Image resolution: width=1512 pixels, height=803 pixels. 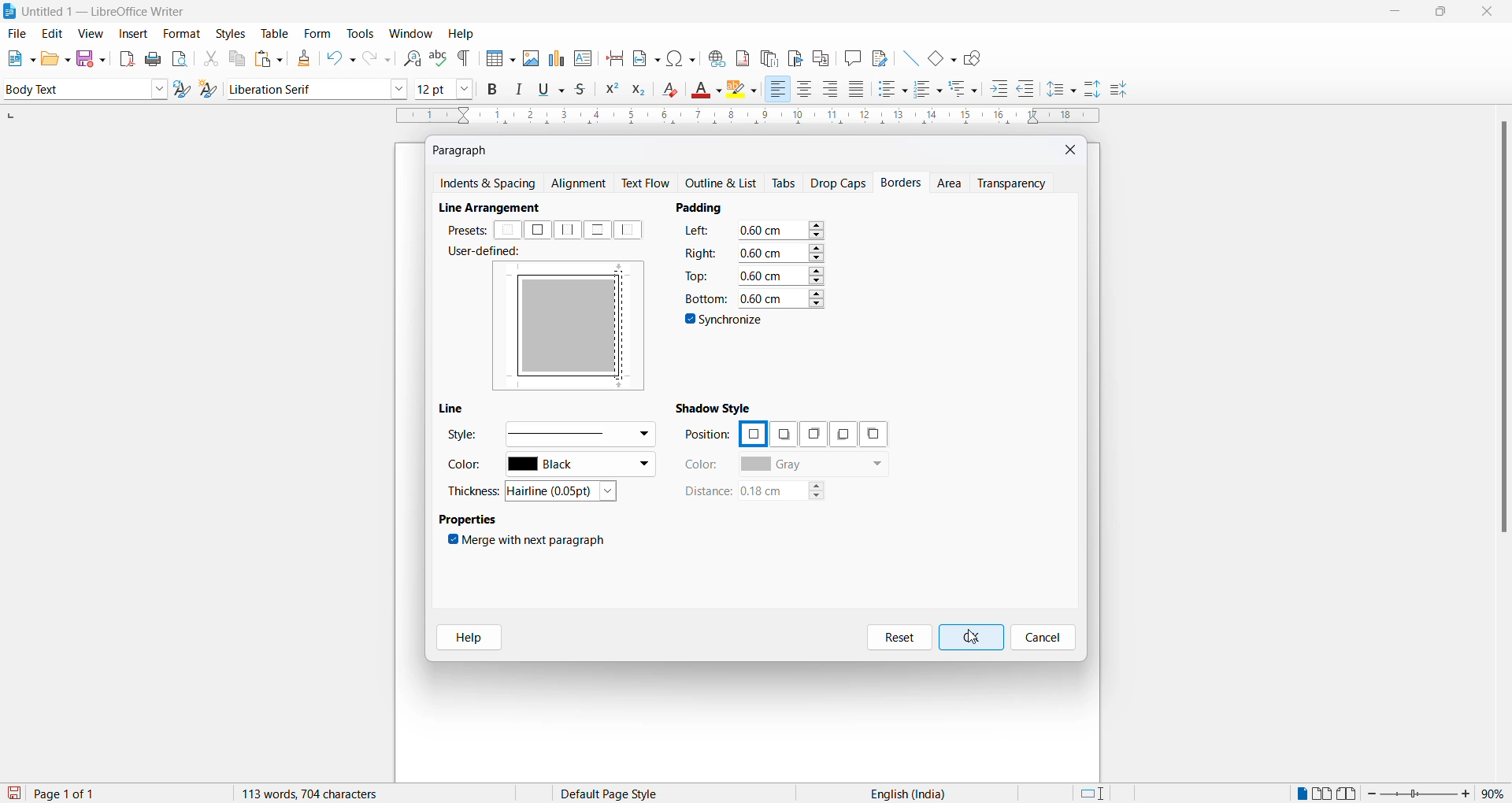 I want to click on text flow, so click(x=650, y=183).